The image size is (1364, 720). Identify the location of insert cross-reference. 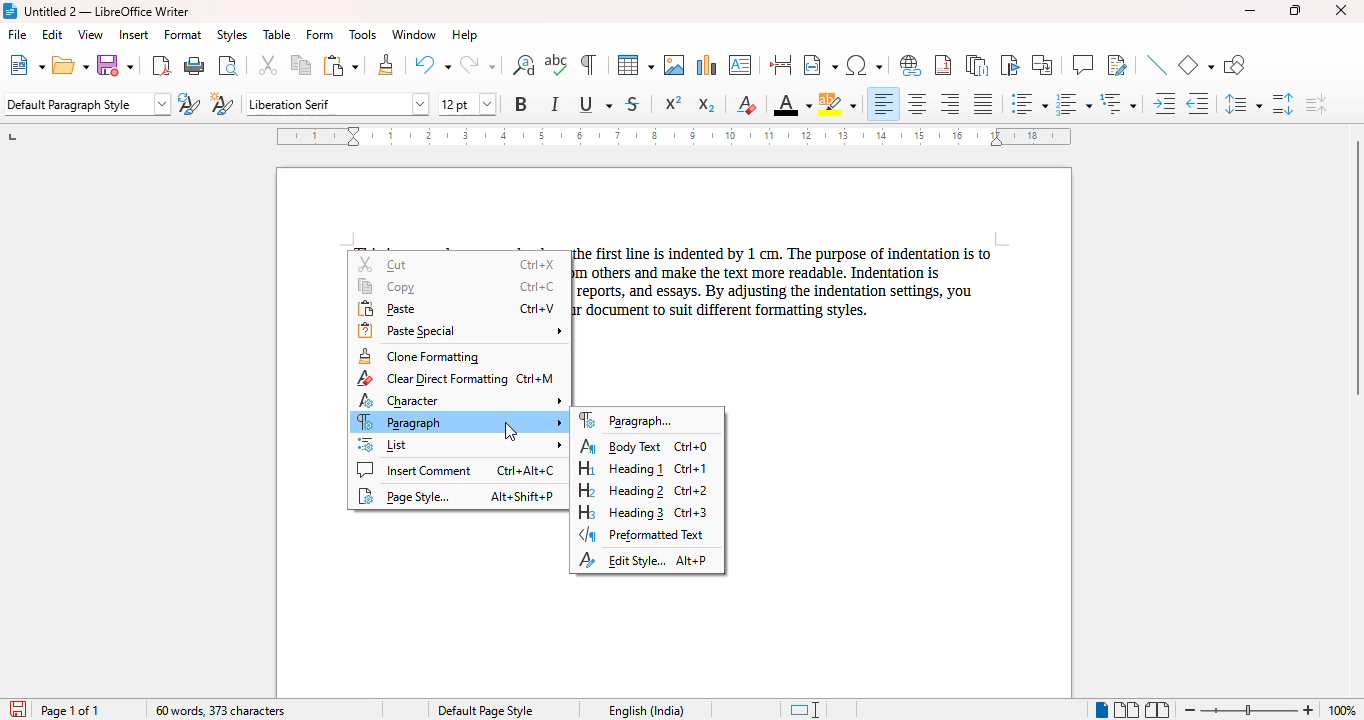
(1042, 65).